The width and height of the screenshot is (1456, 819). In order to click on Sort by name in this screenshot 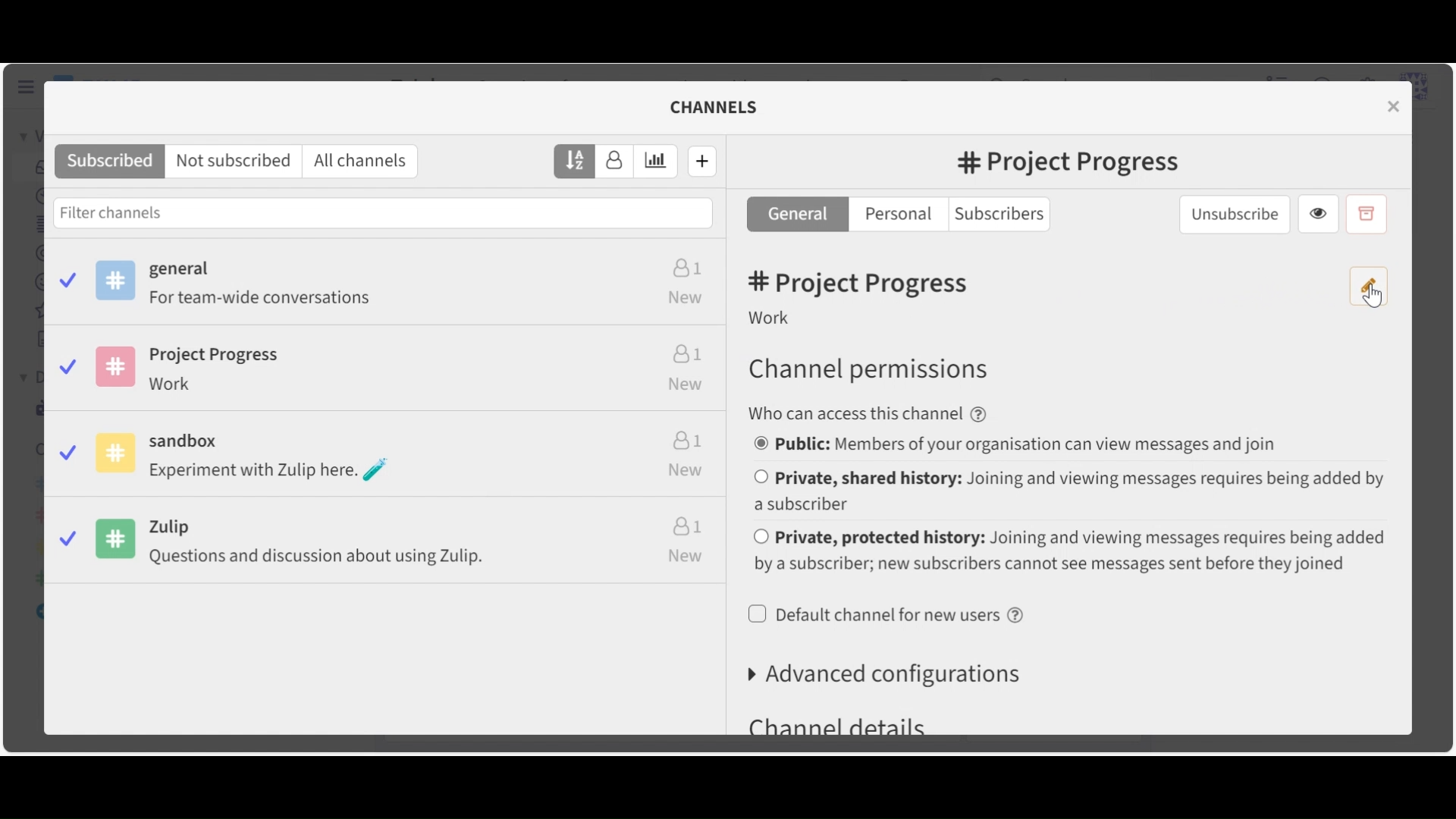, I will do `click(573, 161)`.